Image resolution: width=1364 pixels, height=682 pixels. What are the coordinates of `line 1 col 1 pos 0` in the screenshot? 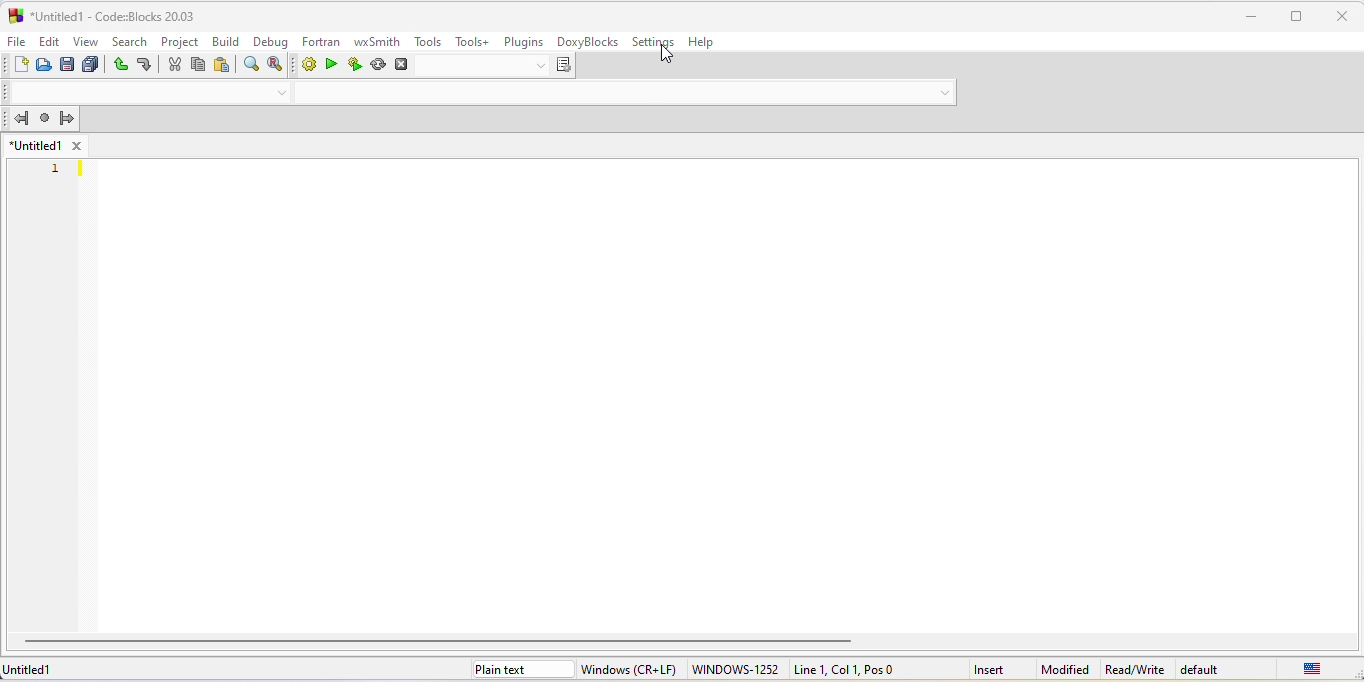 It's located at (851, 668).